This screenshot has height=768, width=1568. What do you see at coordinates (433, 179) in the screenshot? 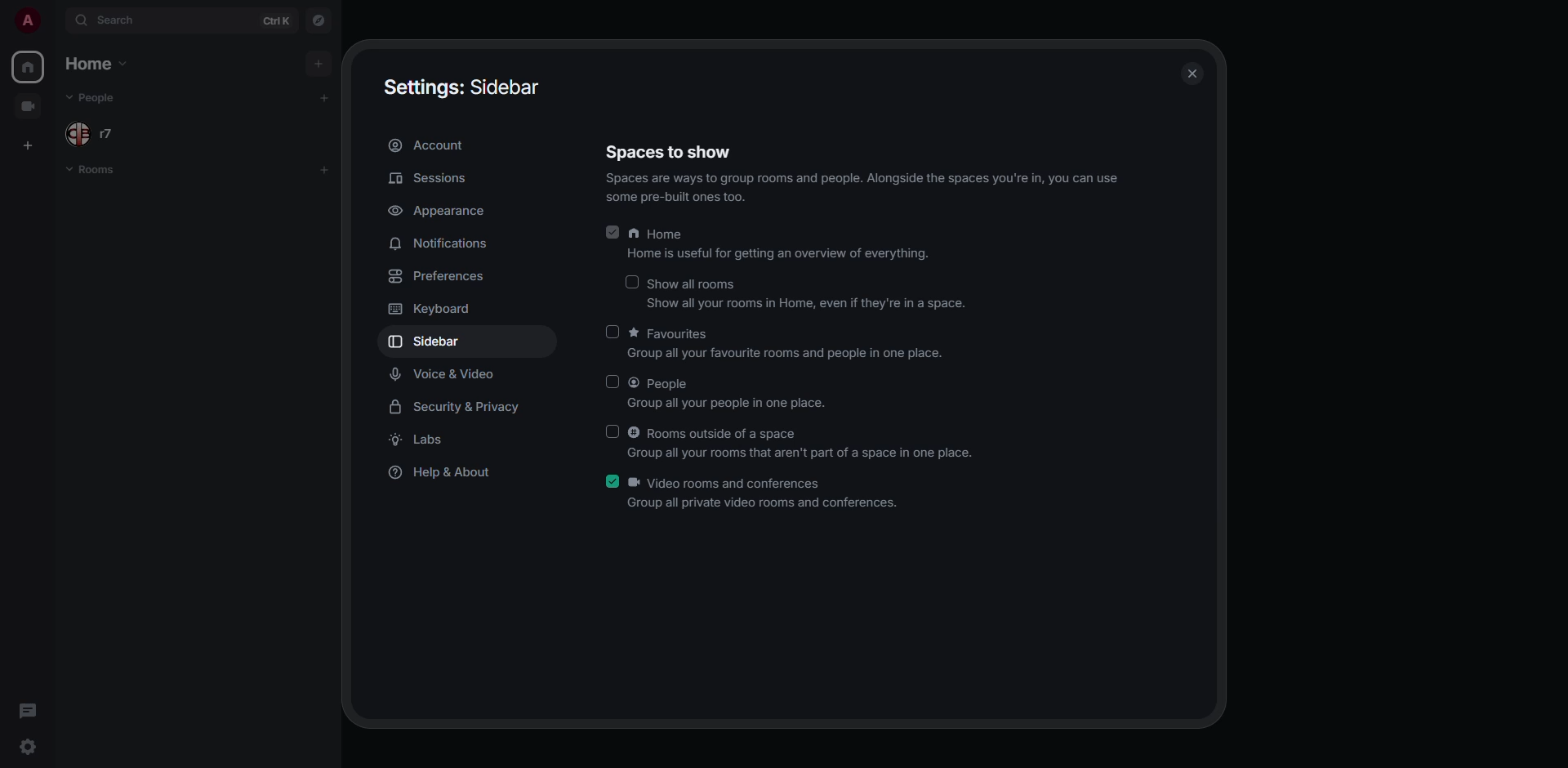
I see `sessions` at bounding box center [433, 179].